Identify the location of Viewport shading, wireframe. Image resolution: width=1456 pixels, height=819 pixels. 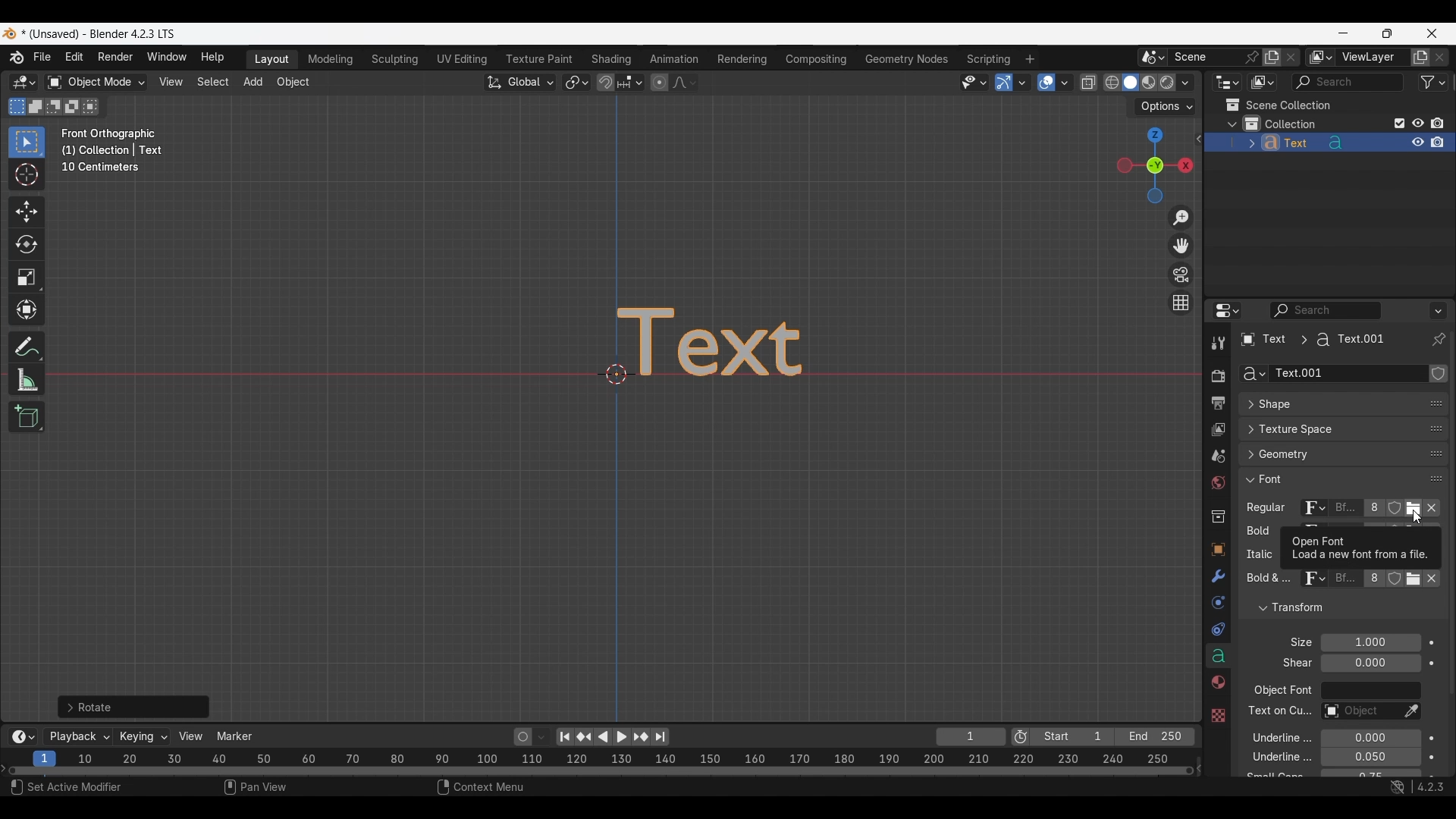
(1112, 83).